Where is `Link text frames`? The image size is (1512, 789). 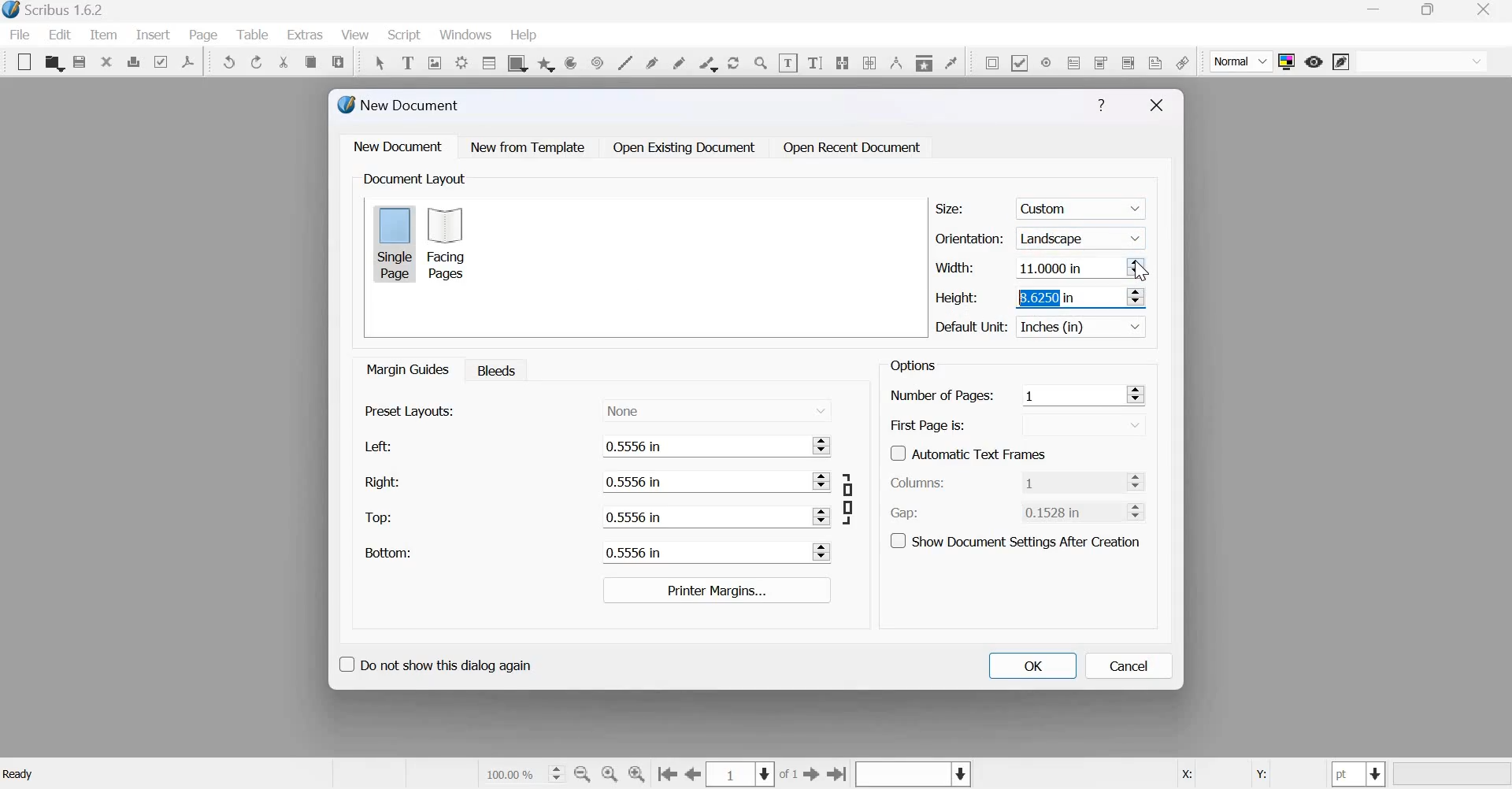
Link text frames is located at coordinates (842, 61).